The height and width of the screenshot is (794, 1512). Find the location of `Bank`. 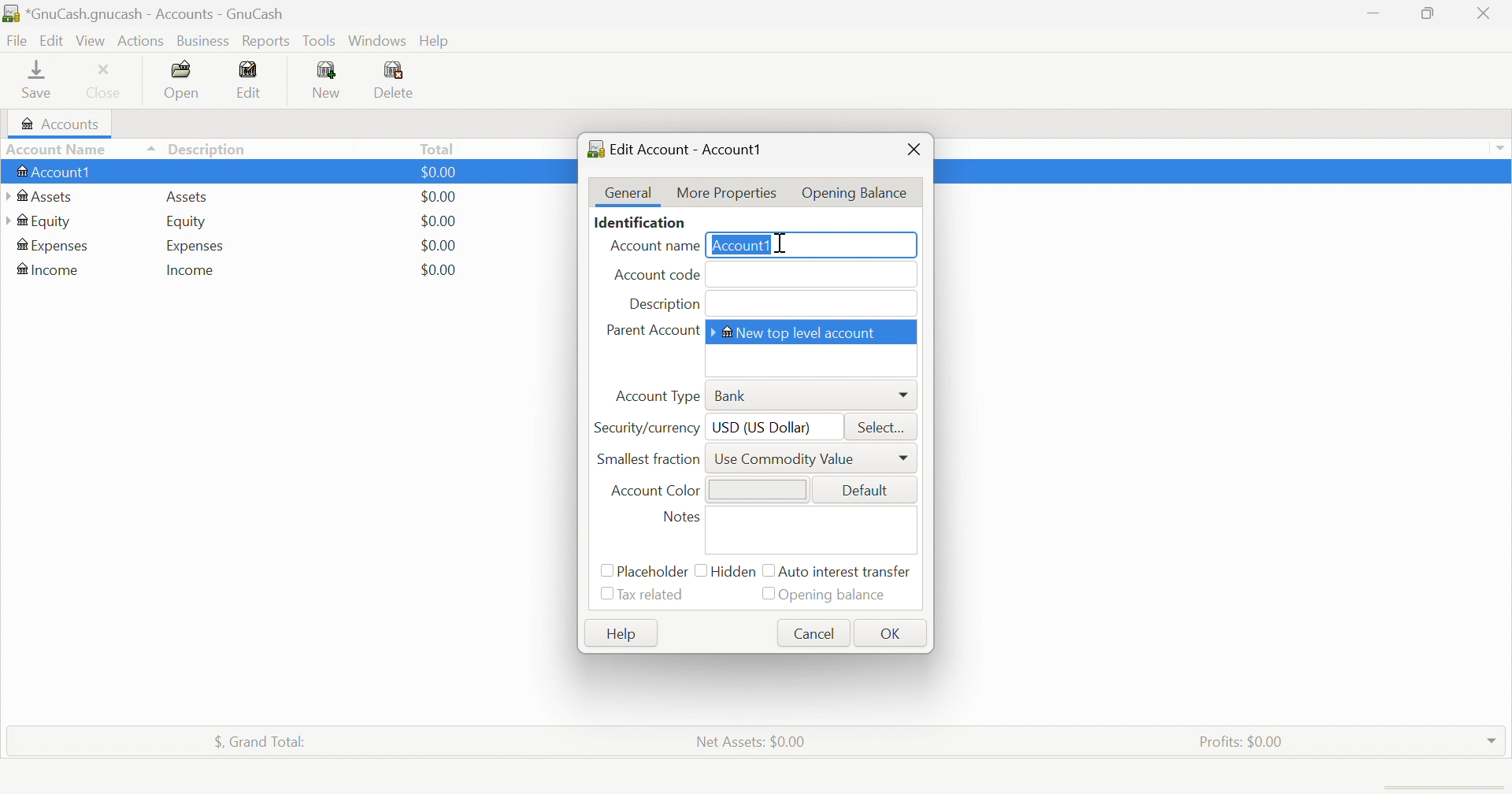

Bank is located at coordinates (733, 396).